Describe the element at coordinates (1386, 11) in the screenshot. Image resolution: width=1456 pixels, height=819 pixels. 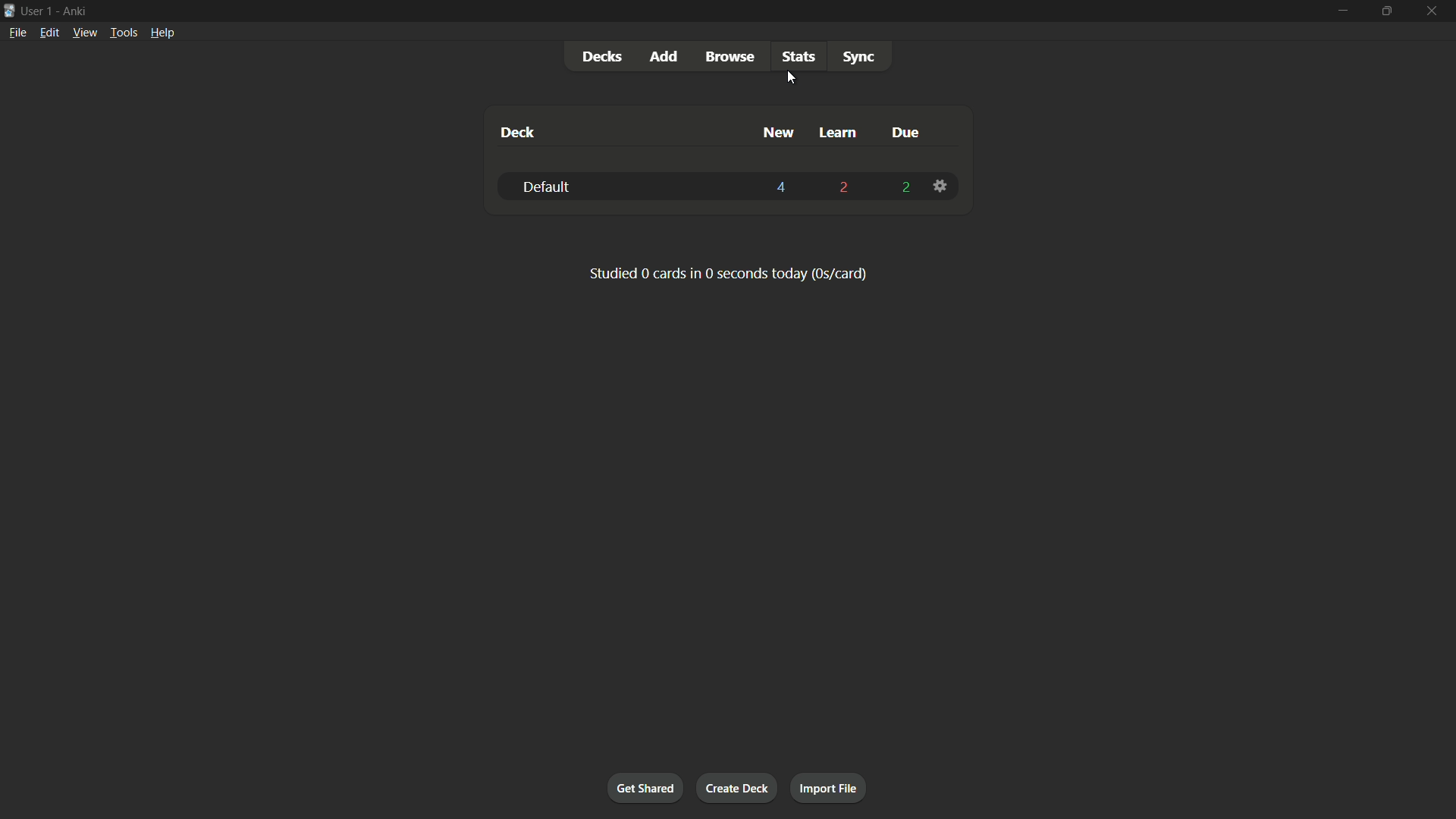
I see `maximize` at that location.